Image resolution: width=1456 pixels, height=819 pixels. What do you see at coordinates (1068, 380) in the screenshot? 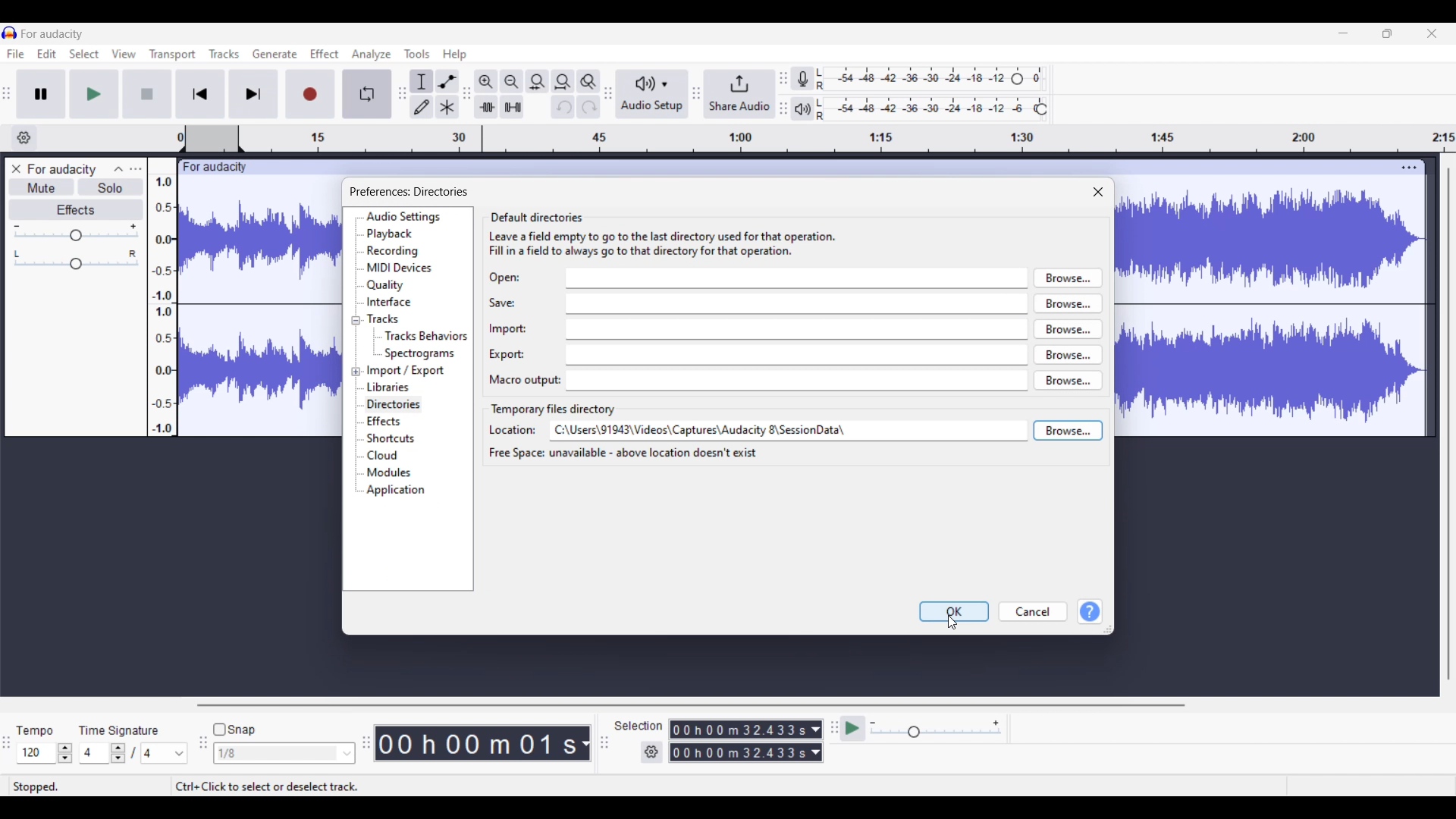
I see `browse` at bounding box center [1068, 380].